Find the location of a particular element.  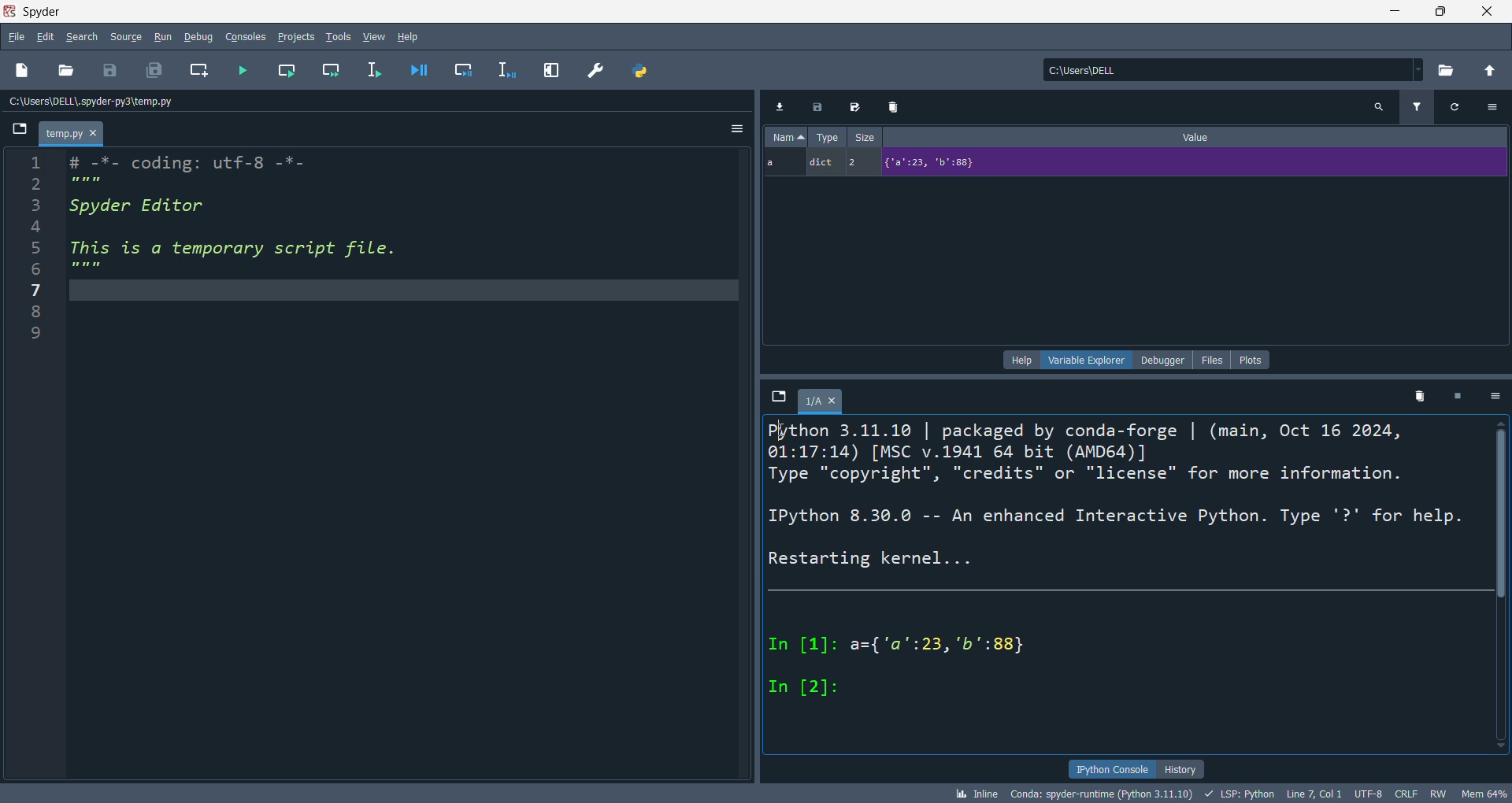

size is located at coordinates (864, 135).